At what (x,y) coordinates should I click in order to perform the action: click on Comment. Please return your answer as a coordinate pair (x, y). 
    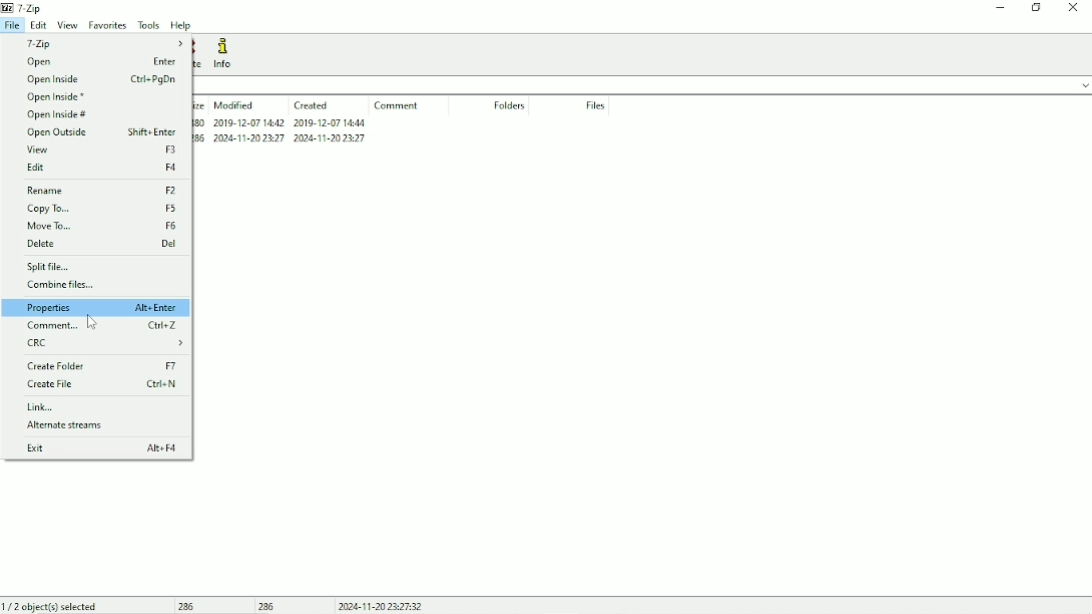
    Looking at the image, I should click on (398, 105).